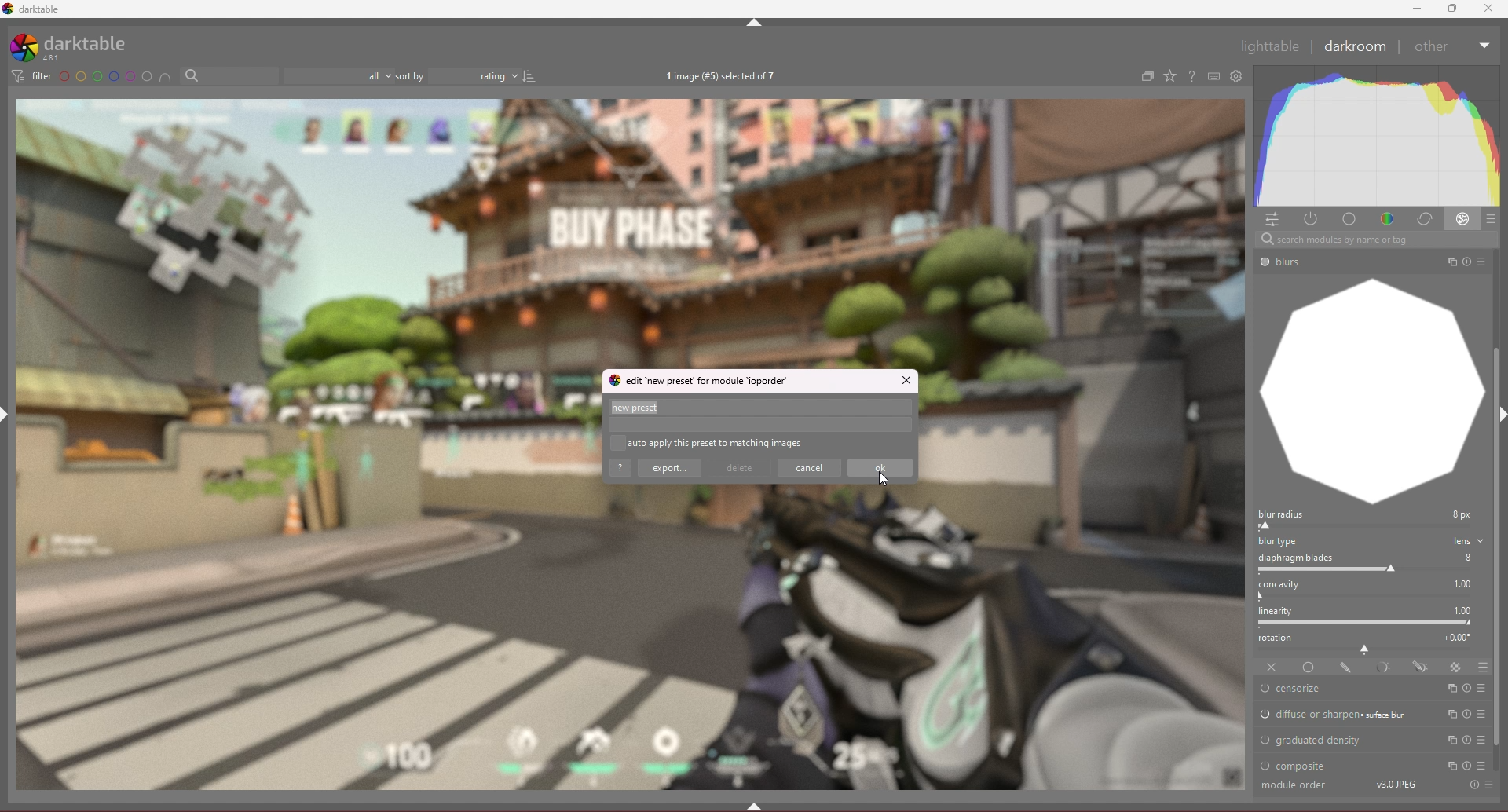  I want to click on parametric mask, so click(1385, 668).